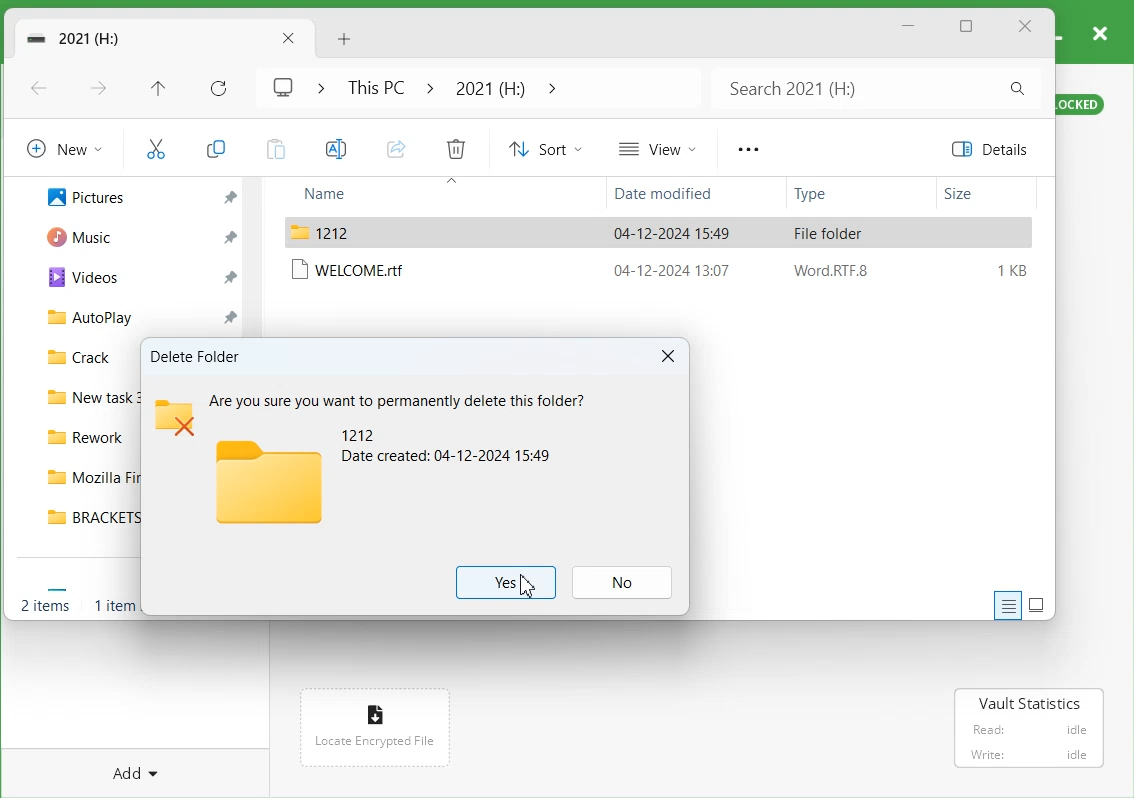 This screenshot has height=798, width=1134. What do you see at coordinates (86, 437) in the screenshot?
I see `Rework` at bounding box center [86, 437].